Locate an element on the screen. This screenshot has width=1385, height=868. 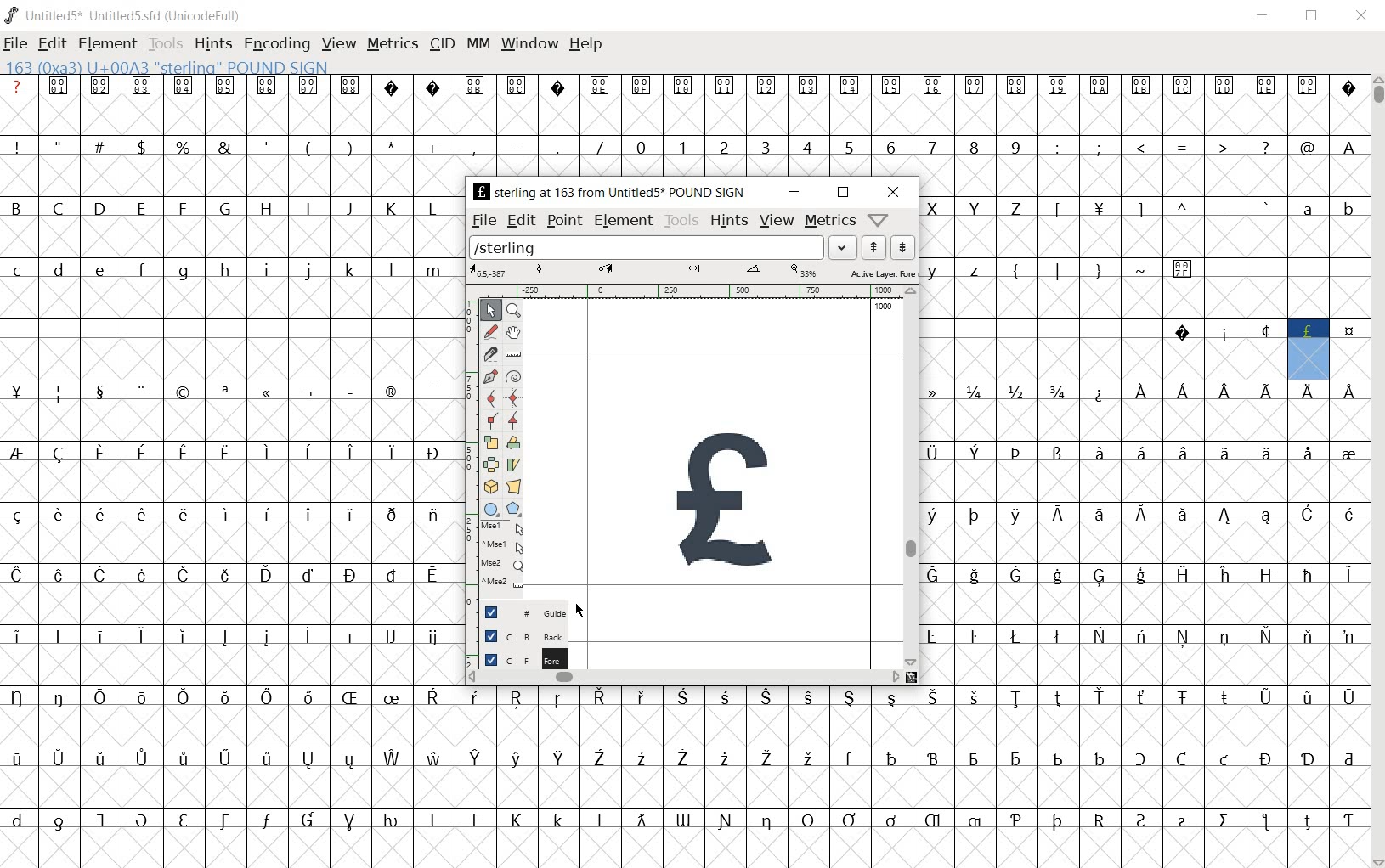
Symbol is located at coordinates (850, 699).